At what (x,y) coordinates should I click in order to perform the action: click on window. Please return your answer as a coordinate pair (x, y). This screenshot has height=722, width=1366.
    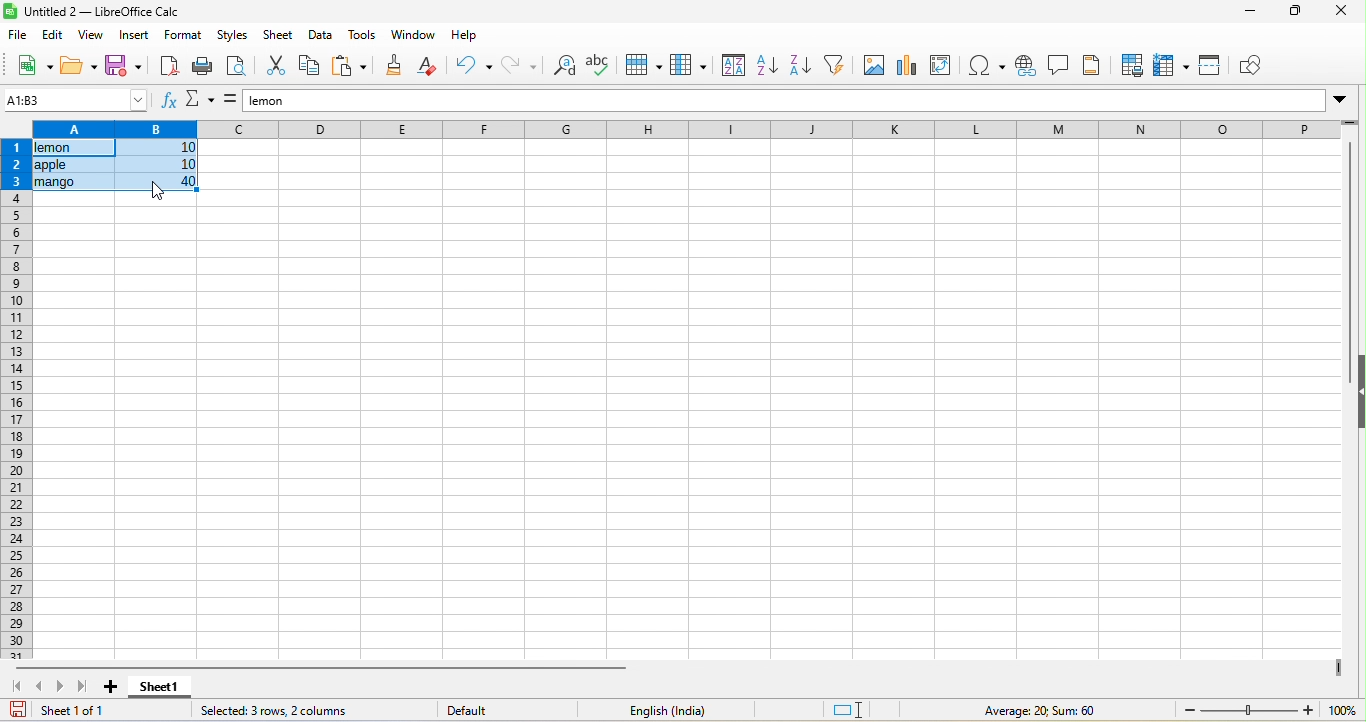
    Looking at the image, I should click on (414, 35).